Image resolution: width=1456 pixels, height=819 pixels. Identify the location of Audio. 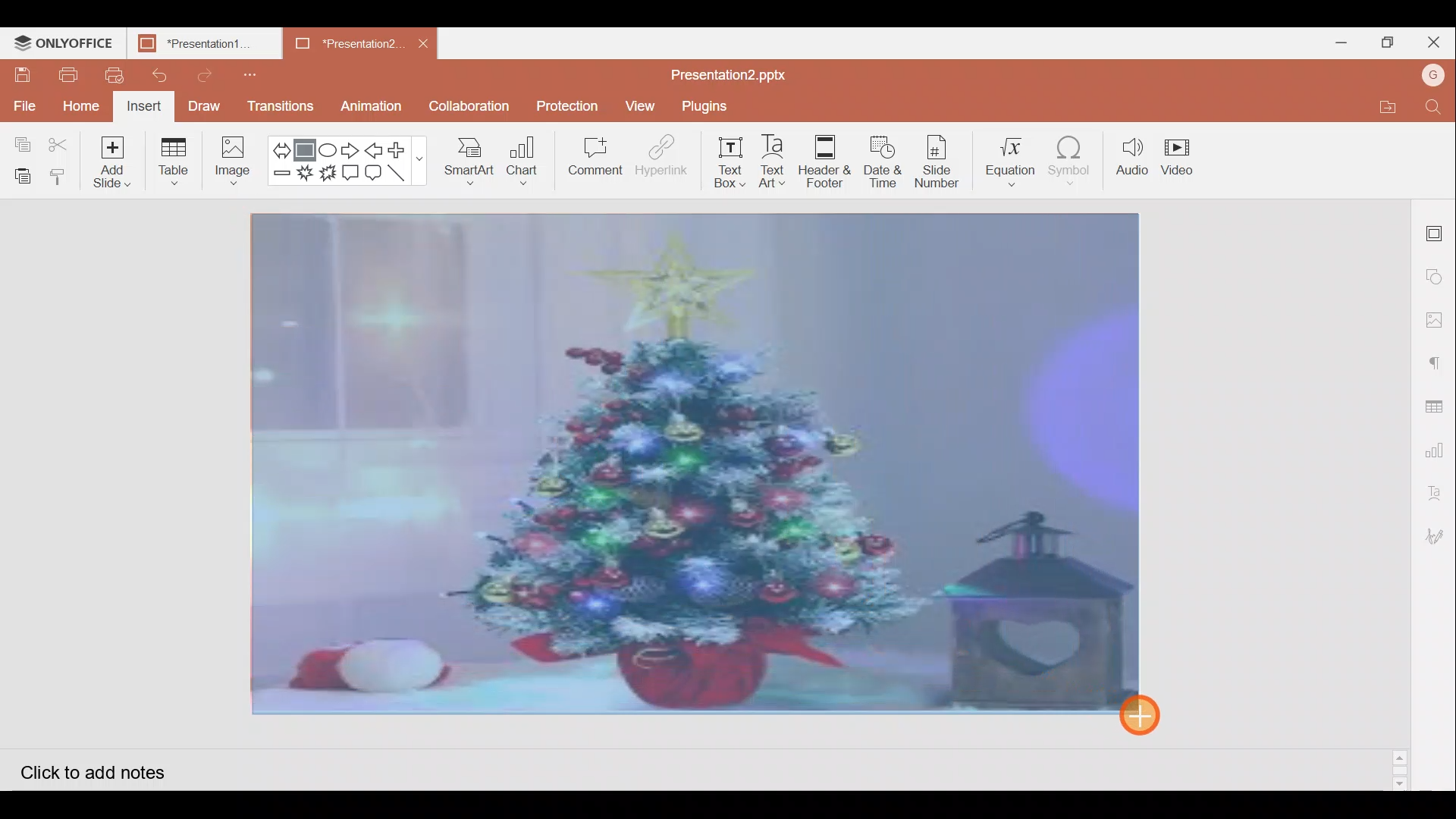
(1132, 159).